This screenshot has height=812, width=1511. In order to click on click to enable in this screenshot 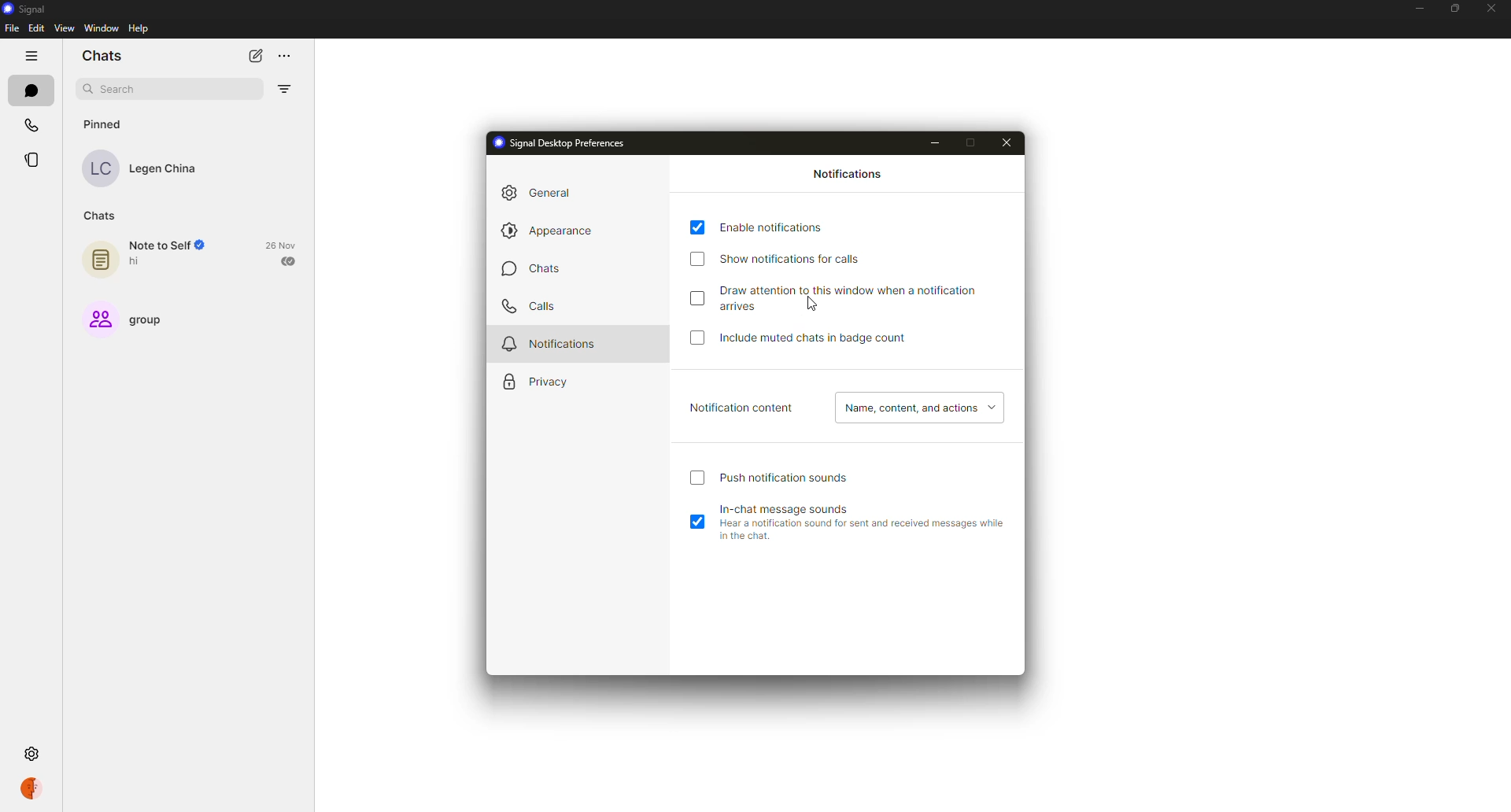, I will do `click(694, 337)`.